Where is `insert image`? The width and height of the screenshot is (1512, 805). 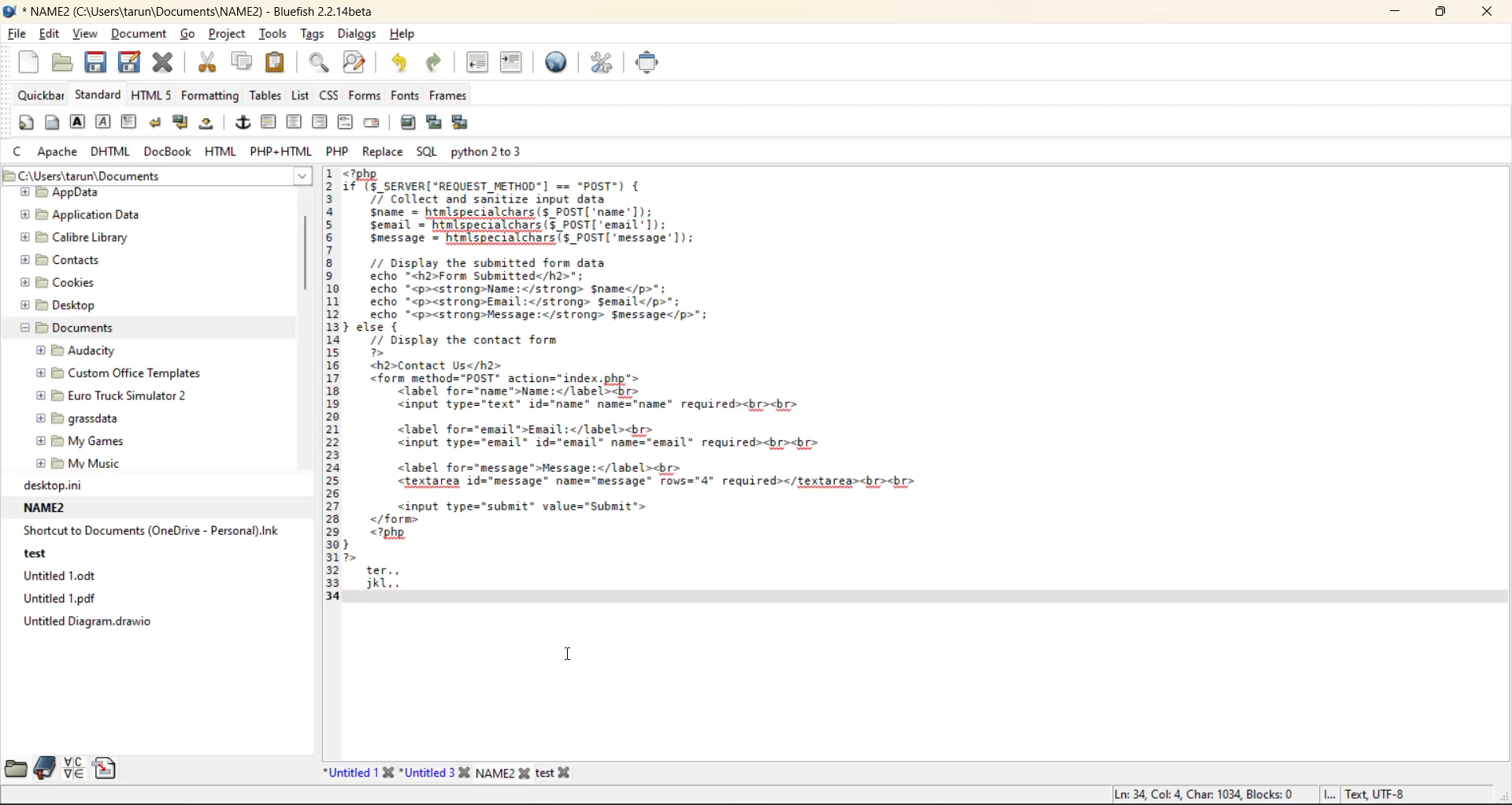
insert image is located at coordinates (412, 124).